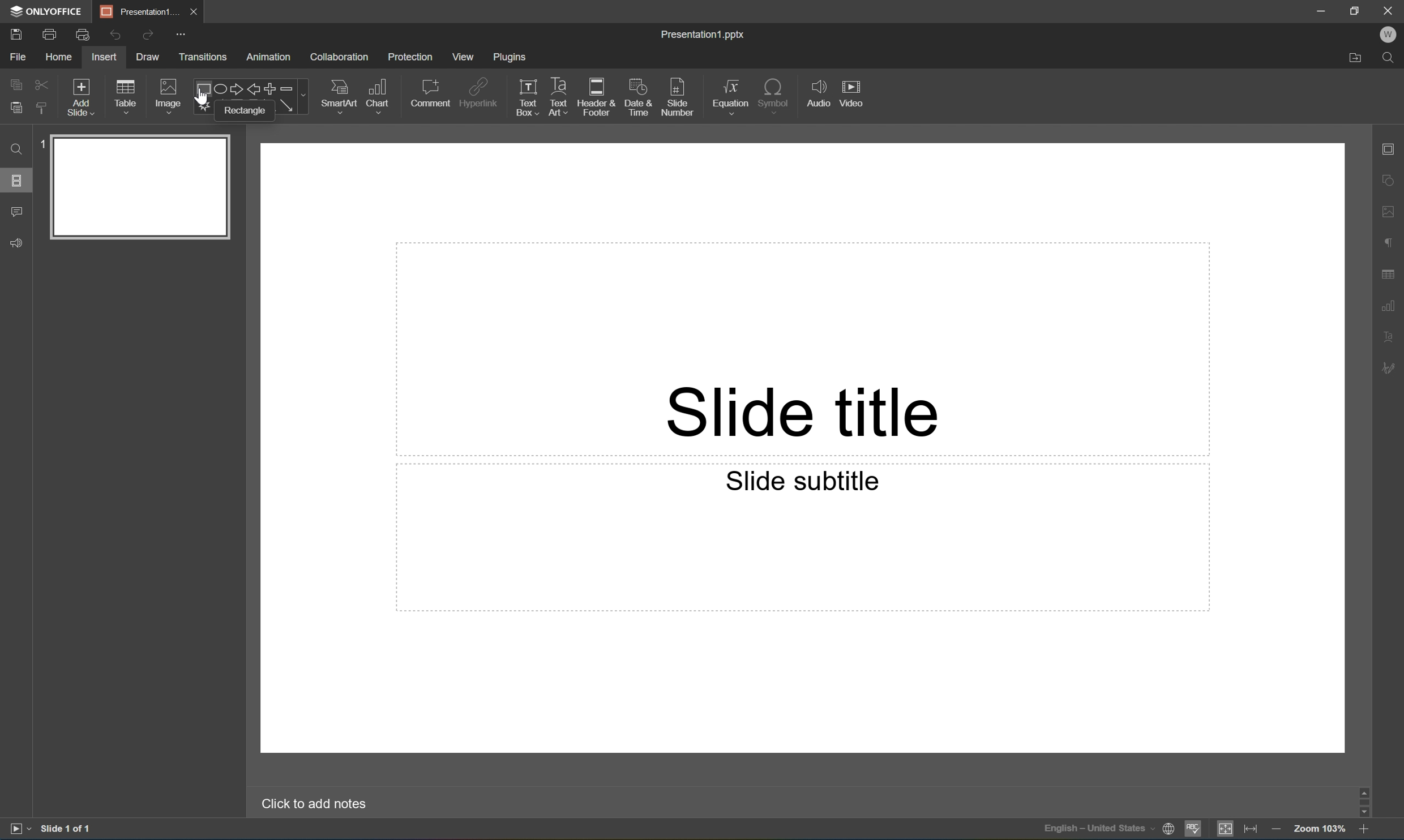 This screenshot has width=1404, height=840. Describe the element at coordinates (1392, 209) in the screenshot. I see `Image settings` at that location.